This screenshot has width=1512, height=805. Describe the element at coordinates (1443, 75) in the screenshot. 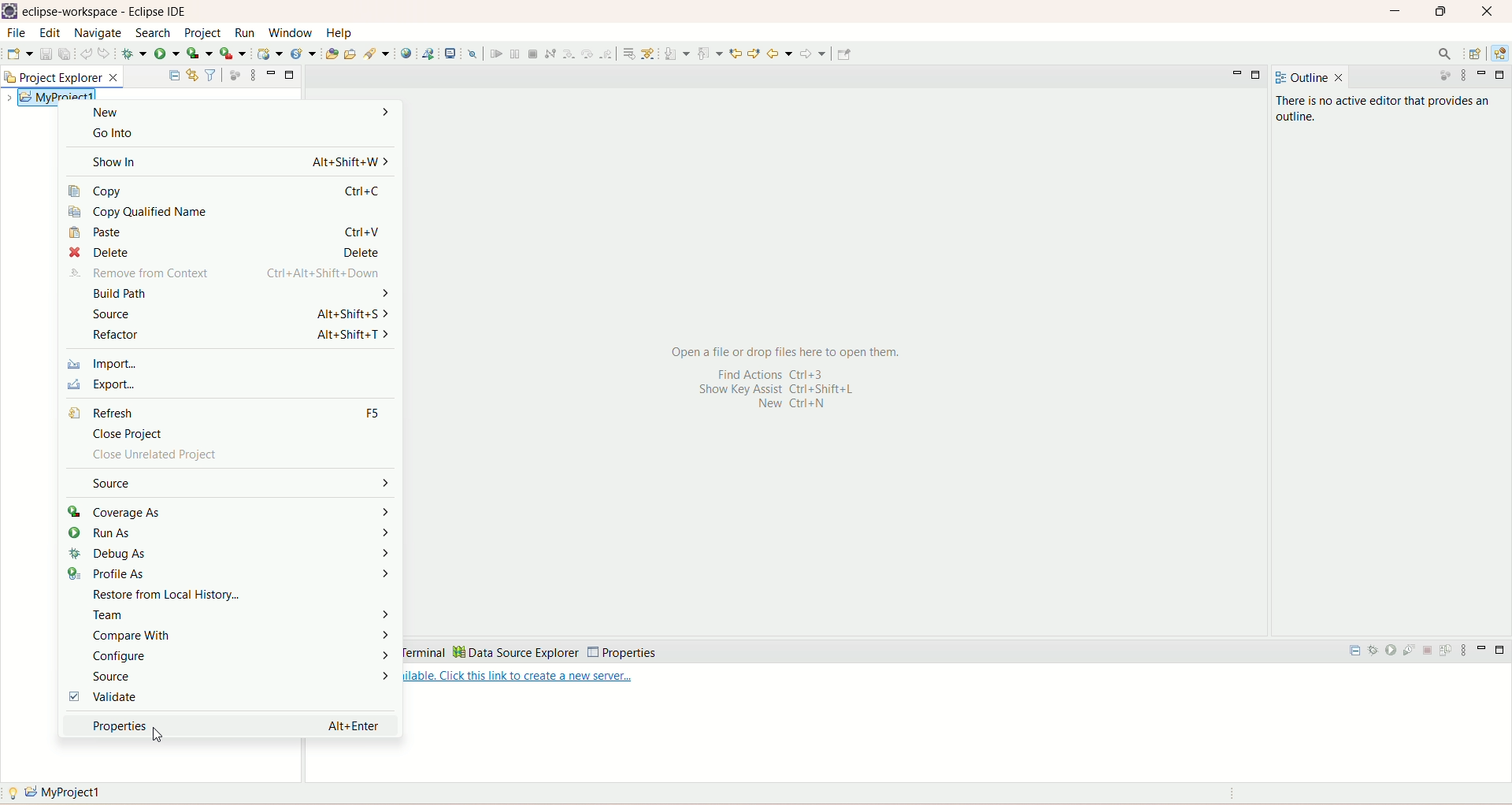

I see `focus on active task` at that location.